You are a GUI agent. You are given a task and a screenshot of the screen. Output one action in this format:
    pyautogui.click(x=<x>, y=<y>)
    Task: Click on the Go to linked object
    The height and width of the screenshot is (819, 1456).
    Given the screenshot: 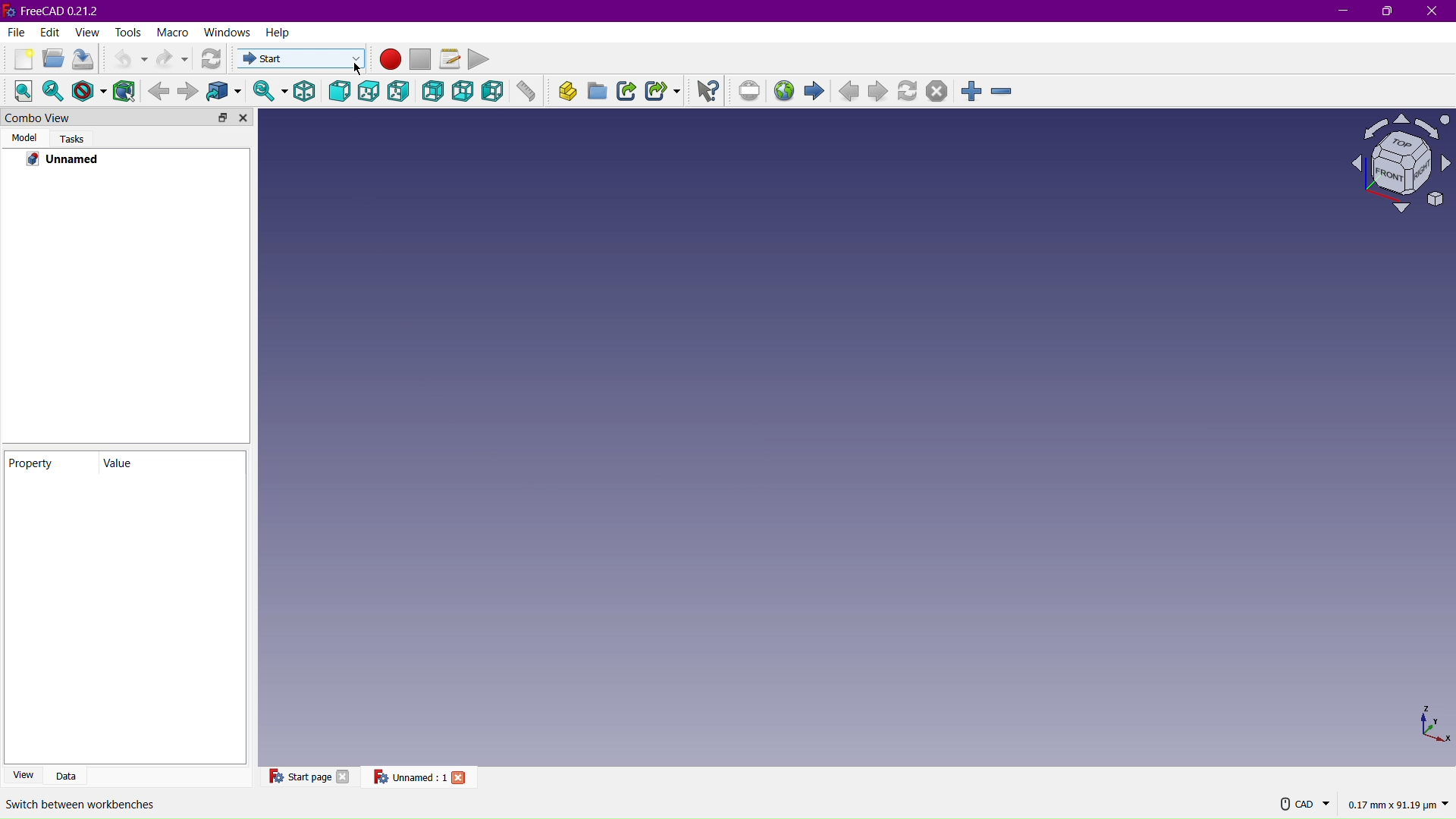 What is the action you would take?
    pyautogui.click(x=228, y=92)
    